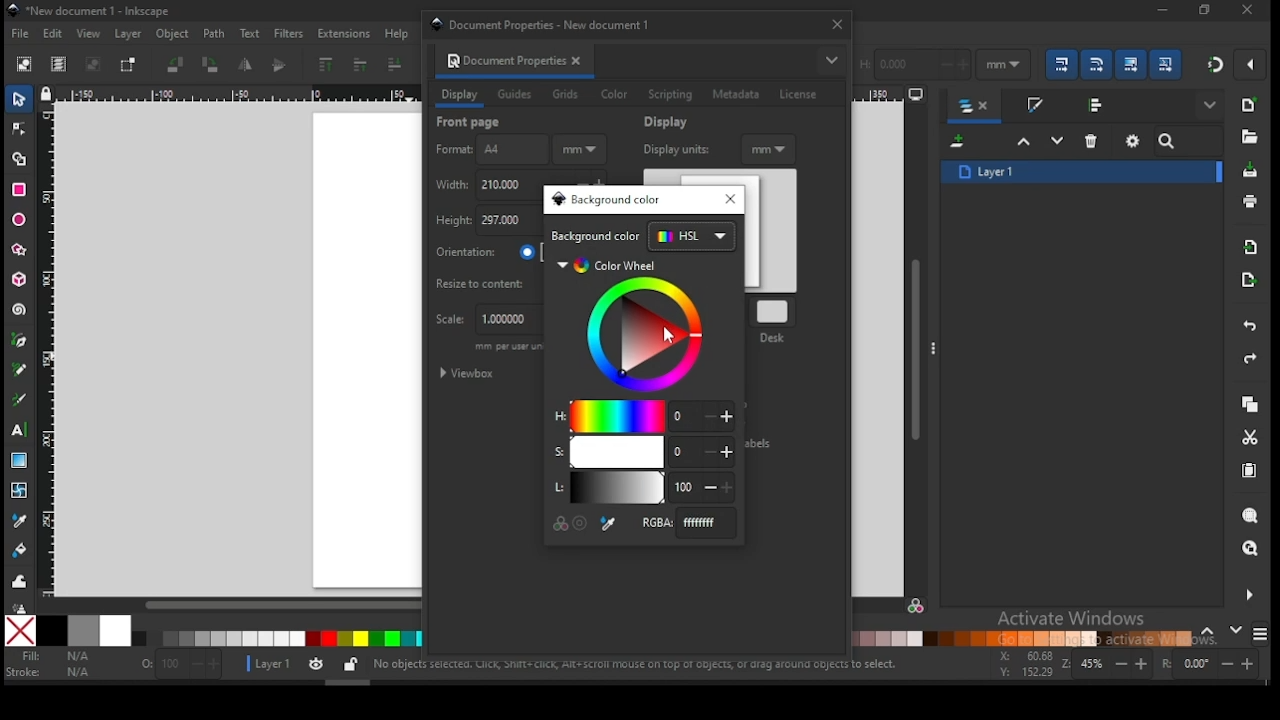  I want to click on save, so click(1248, 171).